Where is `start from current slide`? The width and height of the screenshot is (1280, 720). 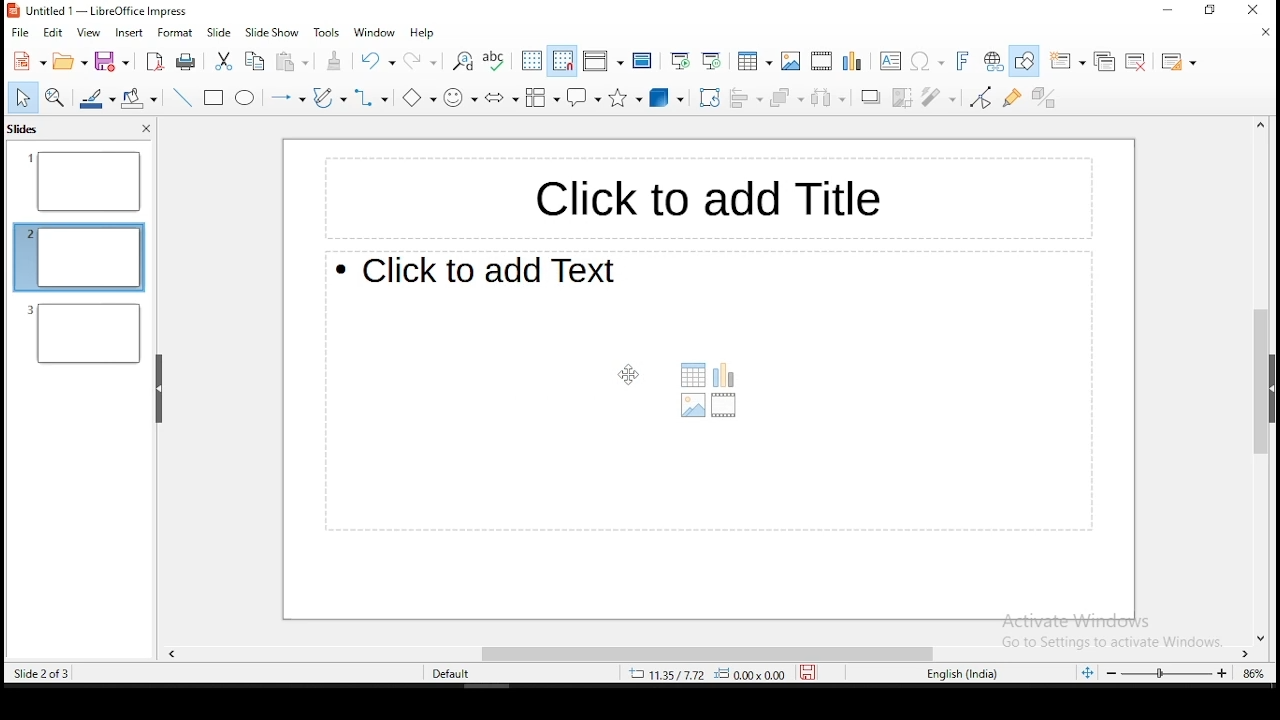 start from current slide is located at coordinates (713, 62).